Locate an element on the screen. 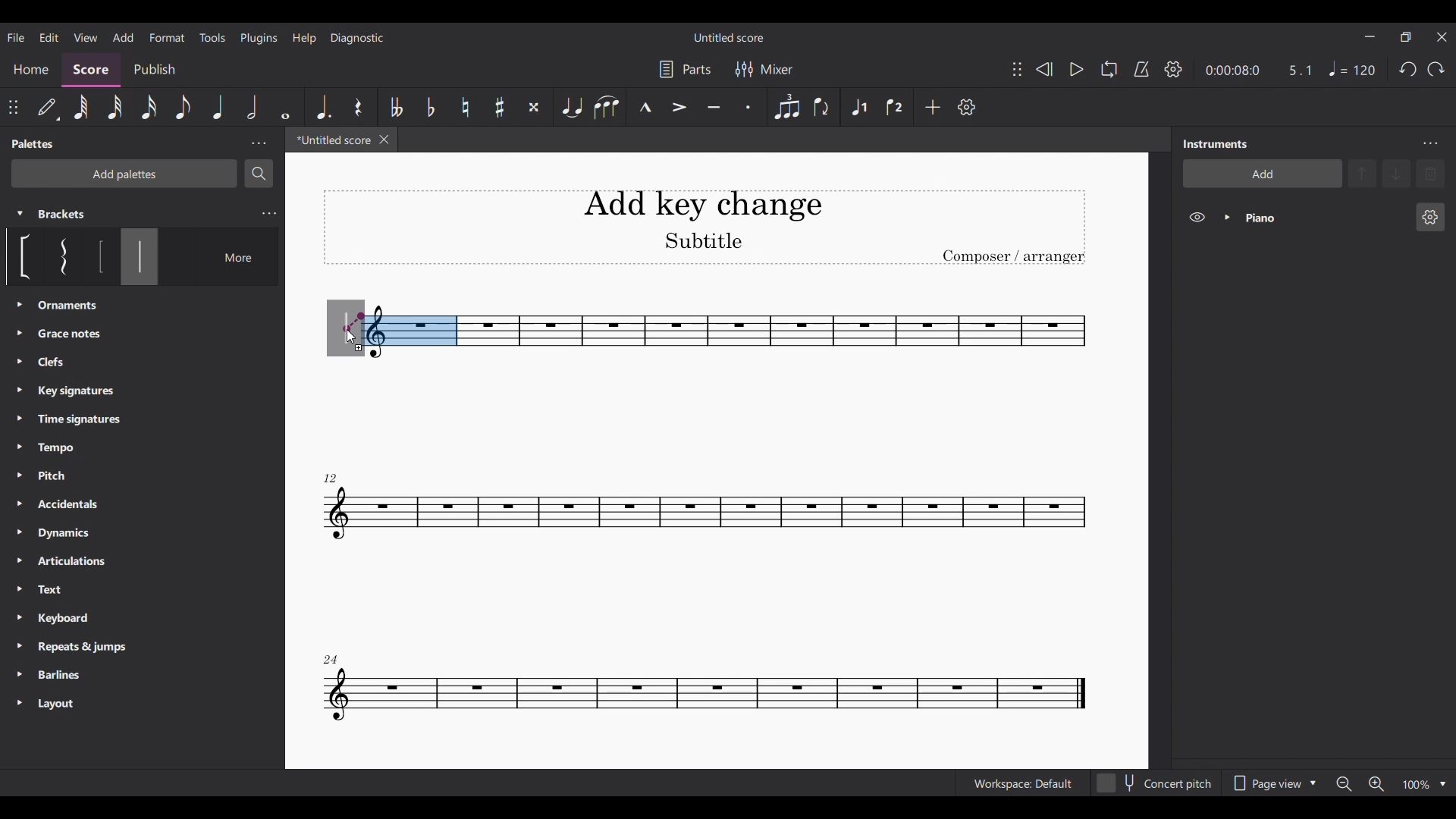  Move down is located at coordinates (1397, 174).